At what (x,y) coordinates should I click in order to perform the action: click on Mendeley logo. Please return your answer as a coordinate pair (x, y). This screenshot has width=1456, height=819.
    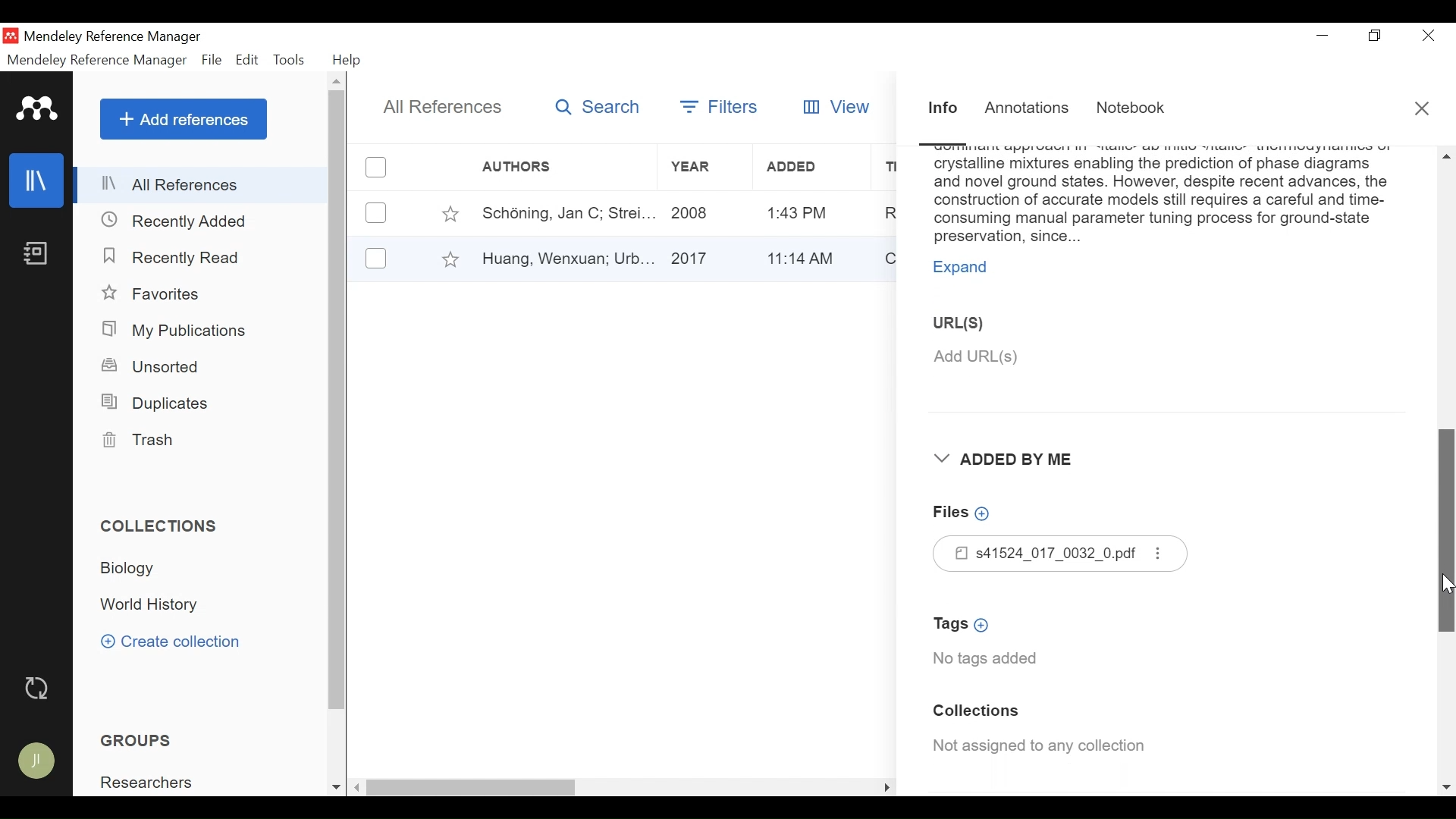
    Looking at the image, I should click on (39, 109).